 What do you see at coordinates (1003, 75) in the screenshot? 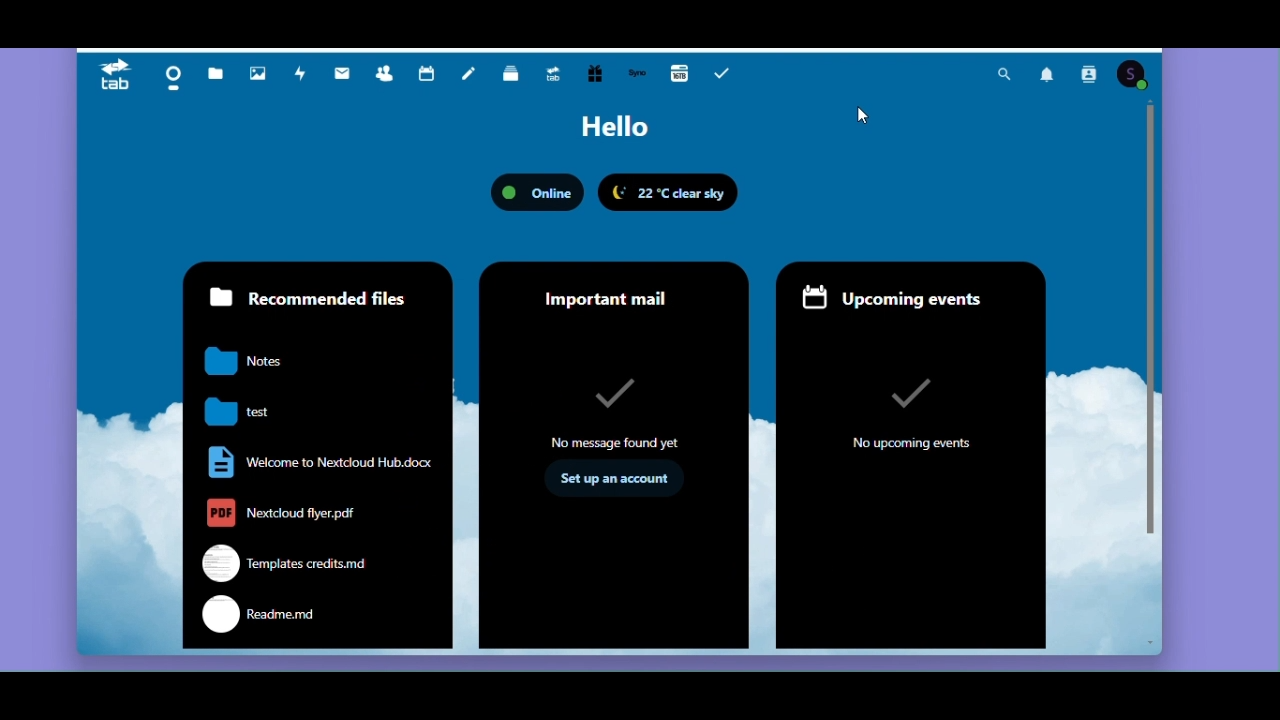
I see `Search` at bounding box center [1003, 75].